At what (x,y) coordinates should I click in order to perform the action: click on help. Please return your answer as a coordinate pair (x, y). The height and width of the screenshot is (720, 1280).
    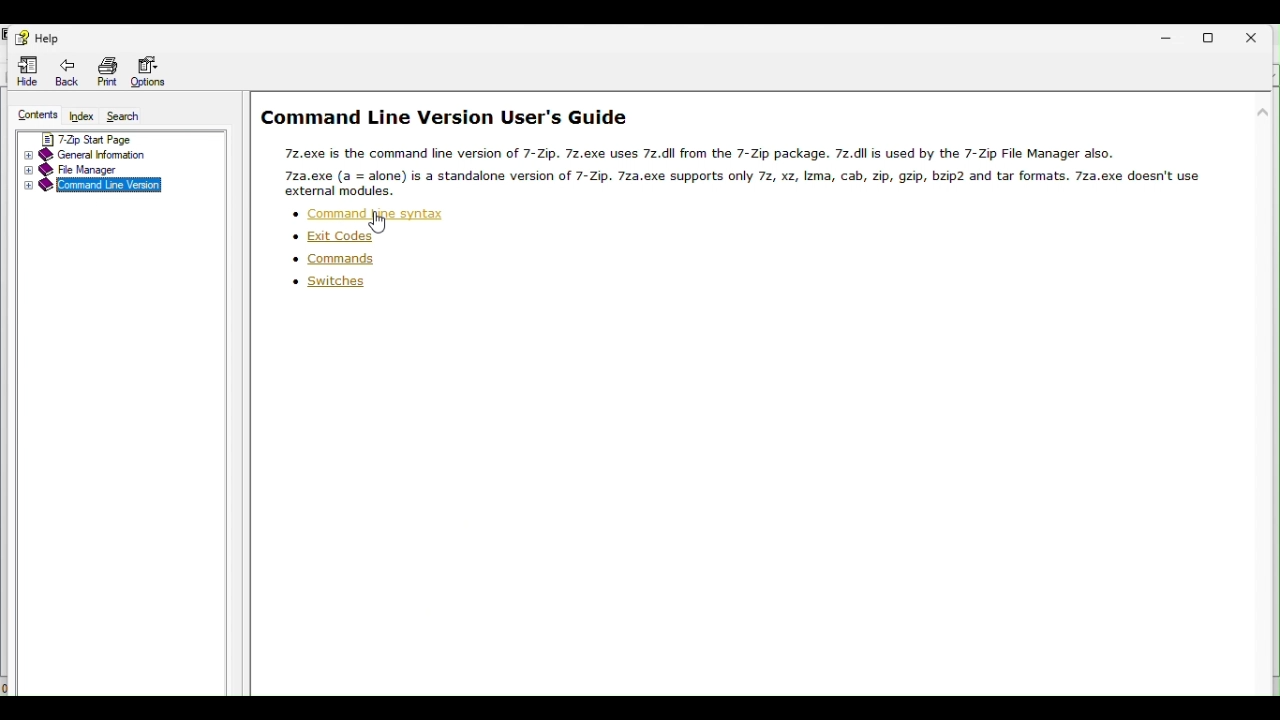
    Looking at the image, I should click on (38, 38).